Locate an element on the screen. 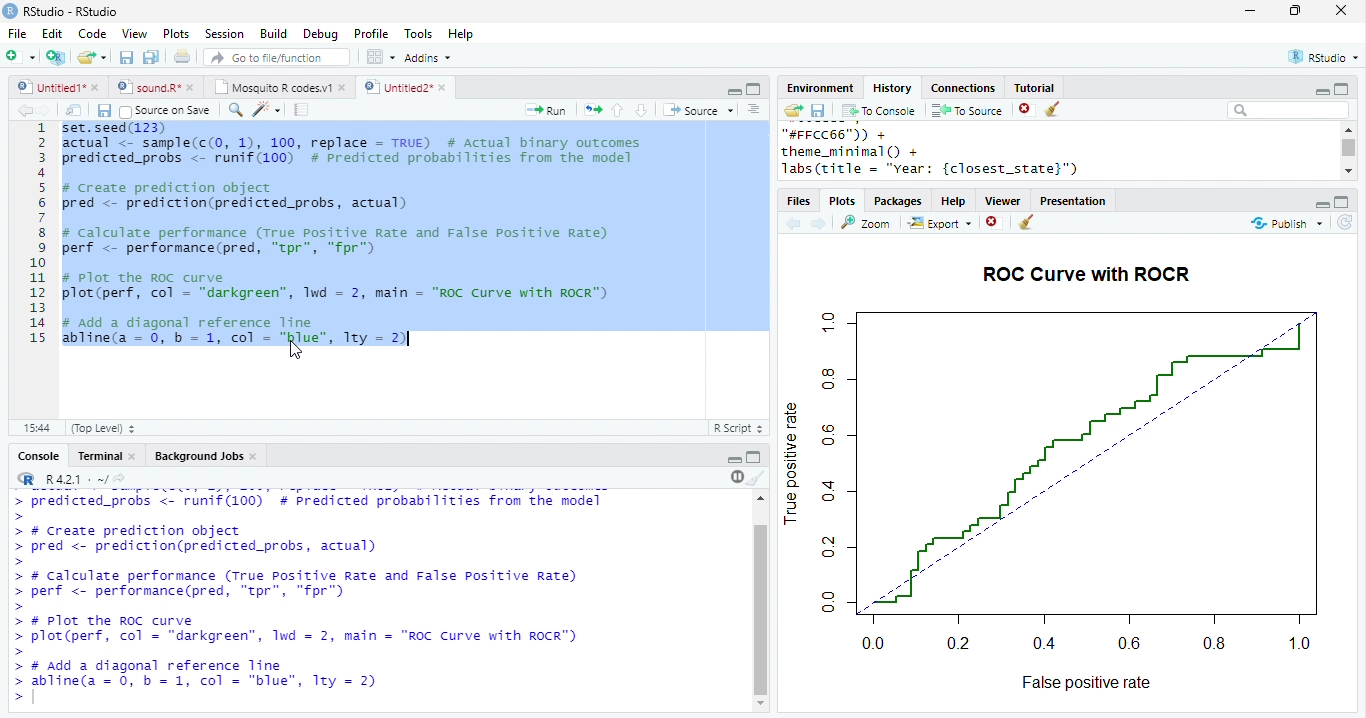 This screenshot has width=1366, height=718. # calculate performance (True Positive Rate and False Positive Rate)
perf <- performance(pred, “tpr", “fpr") is located at coordinates (336, 240).